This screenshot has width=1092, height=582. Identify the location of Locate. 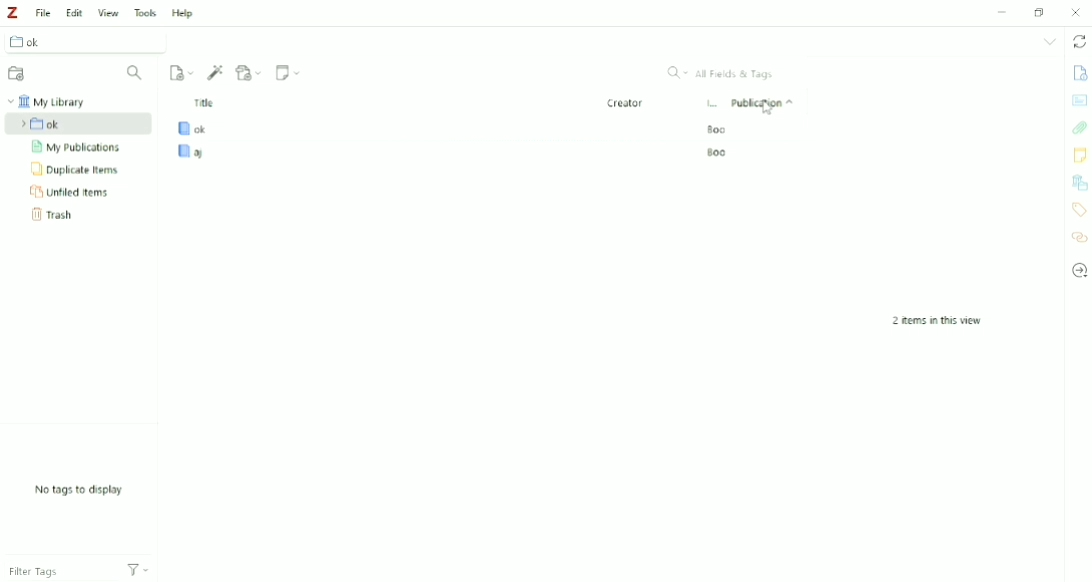
(1080, 269).